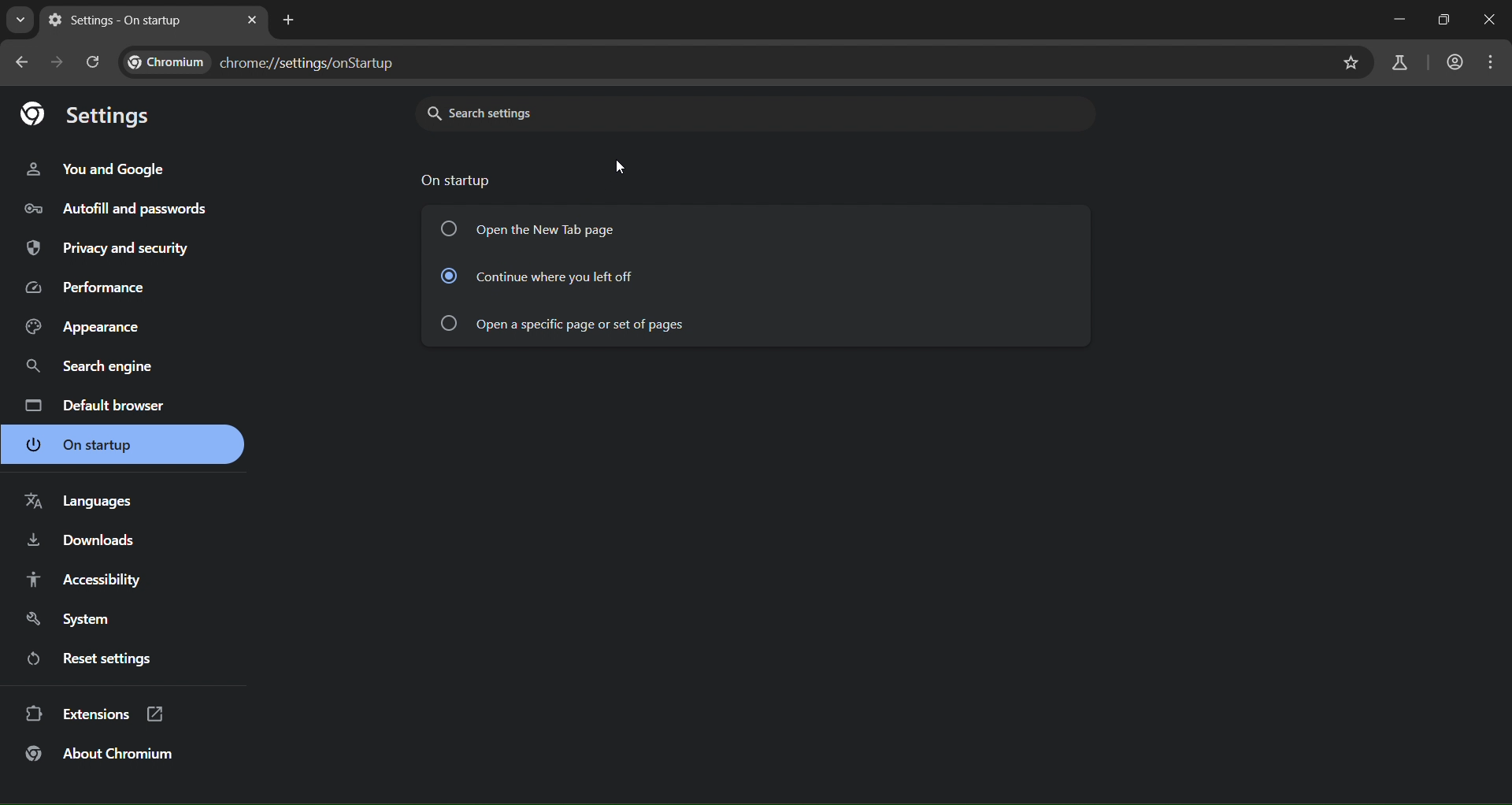  What do you see at coordinates (88, 116) in the screenshot?
I see `settings` at bounding box center [88, 116].